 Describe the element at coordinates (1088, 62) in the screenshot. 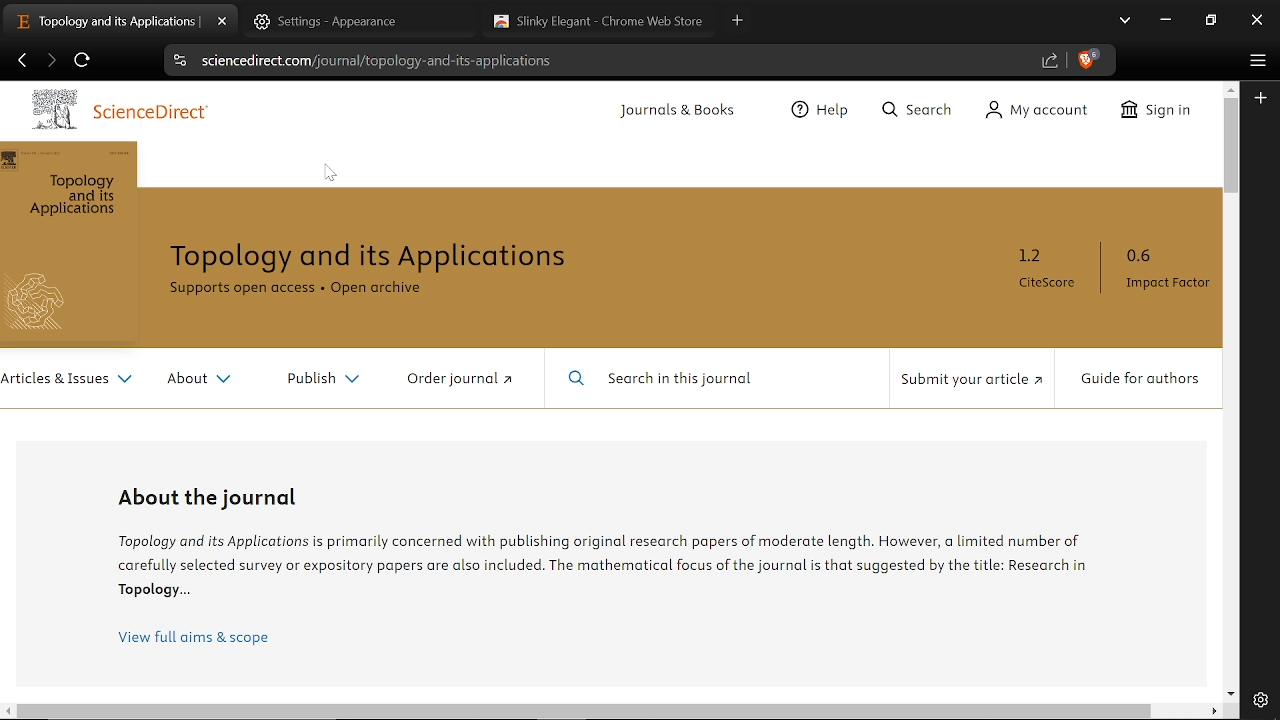

I see `Brave shield` at that location.